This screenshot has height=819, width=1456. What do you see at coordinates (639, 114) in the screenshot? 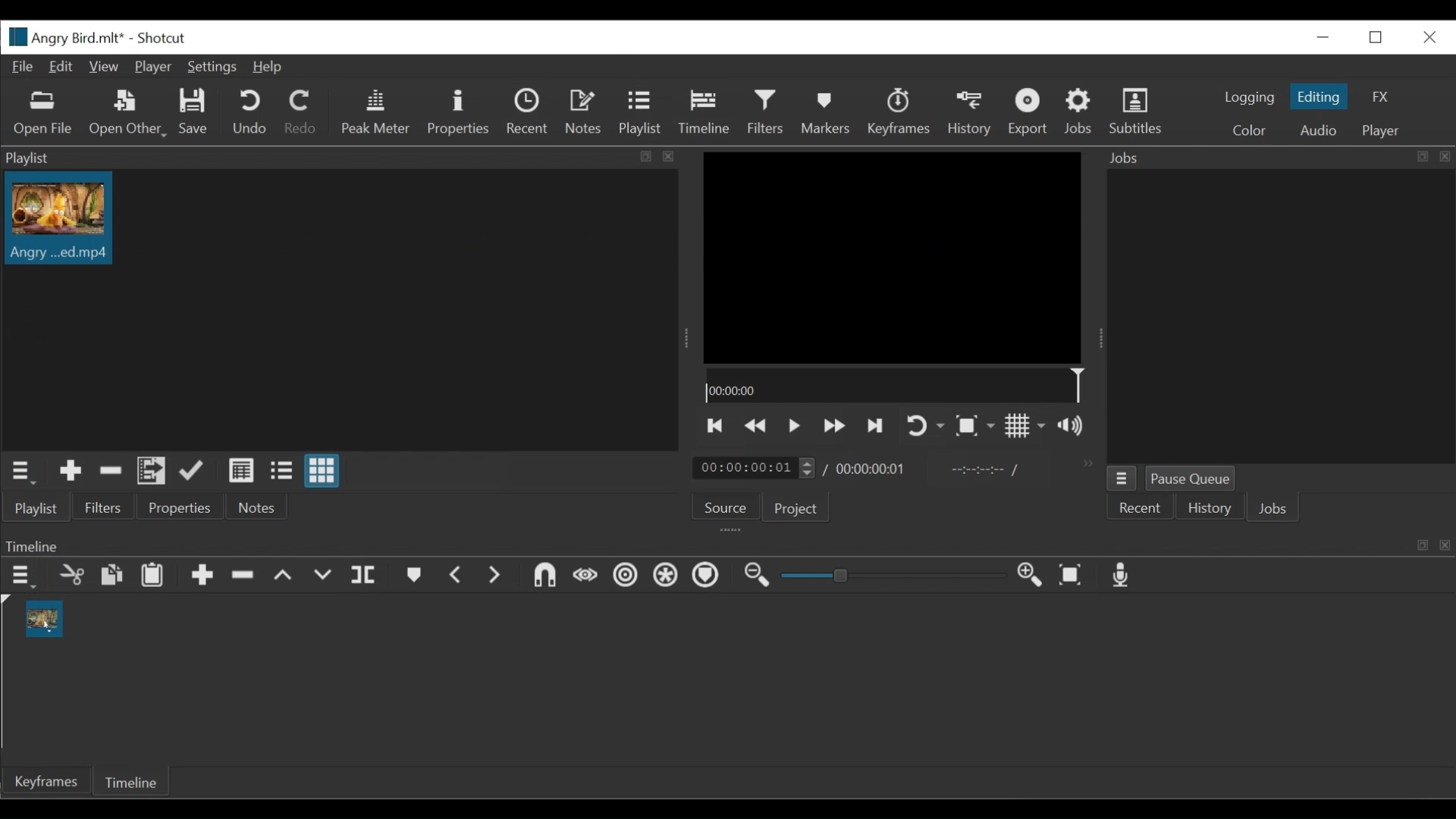
I see `Playlist` at bounding box center [639, 114].